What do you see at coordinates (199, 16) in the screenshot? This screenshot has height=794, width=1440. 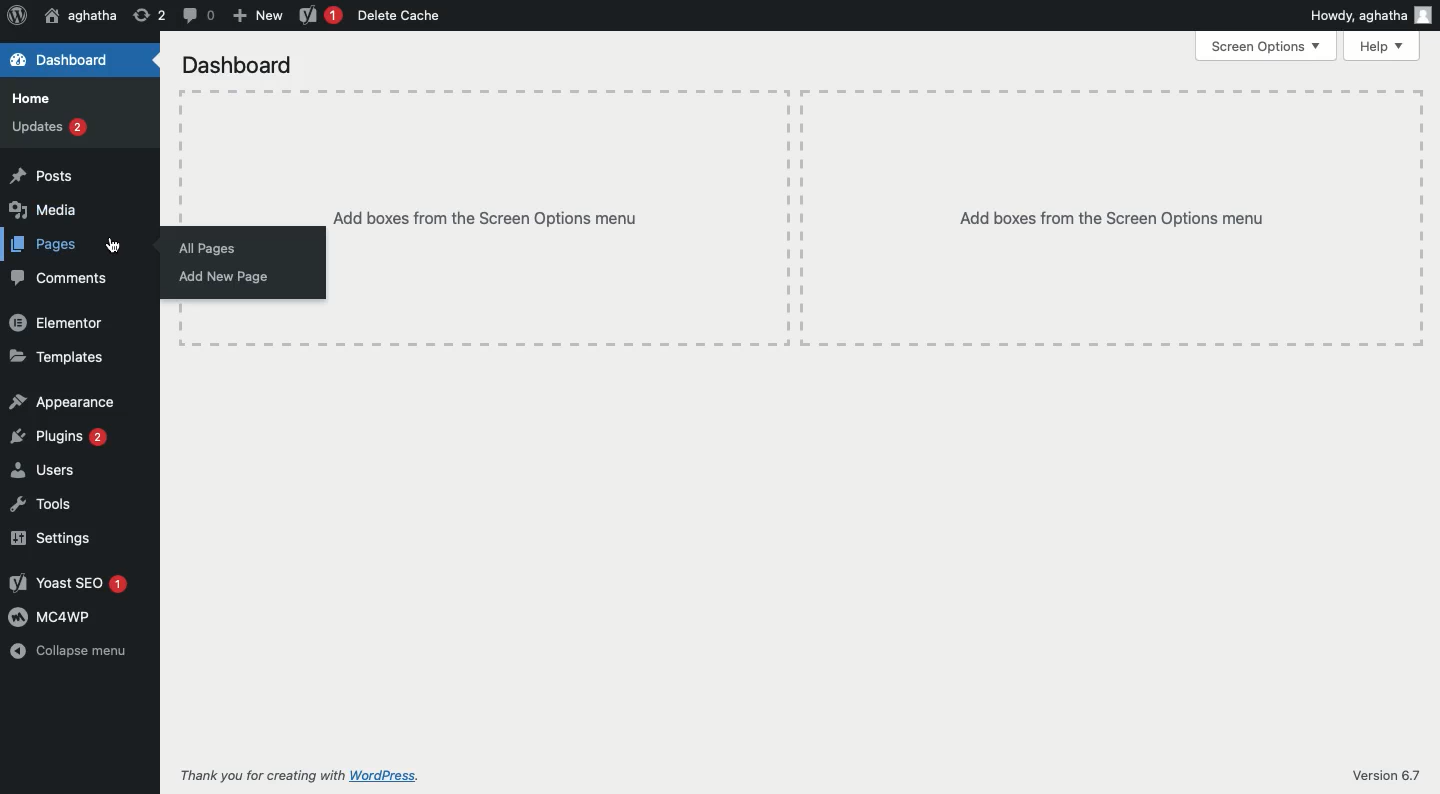 I see `Comment` at bounding box center [199, 16].